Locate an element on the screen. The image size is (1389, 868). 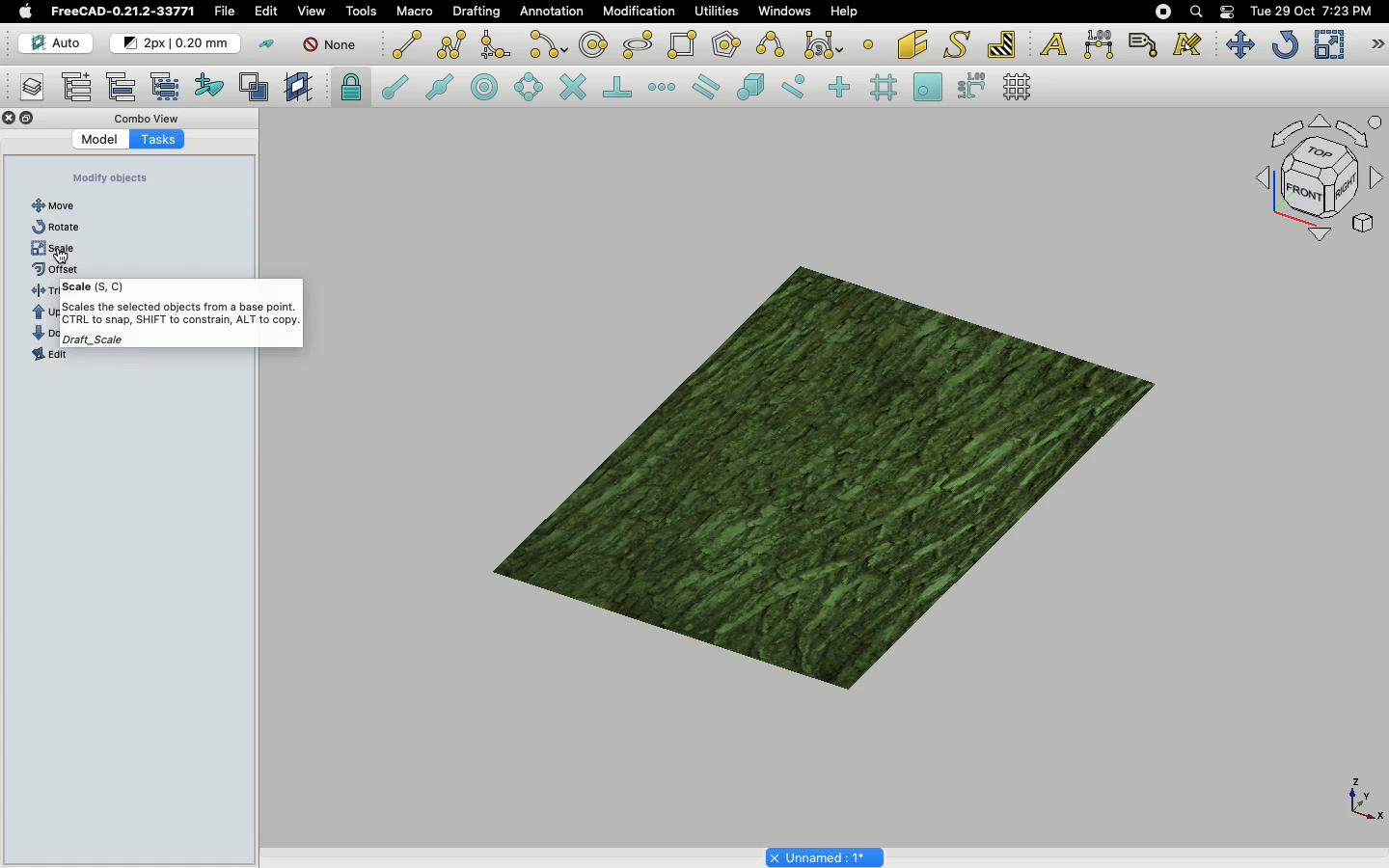
Change default style for new objects is located at coordinates (177, 43).